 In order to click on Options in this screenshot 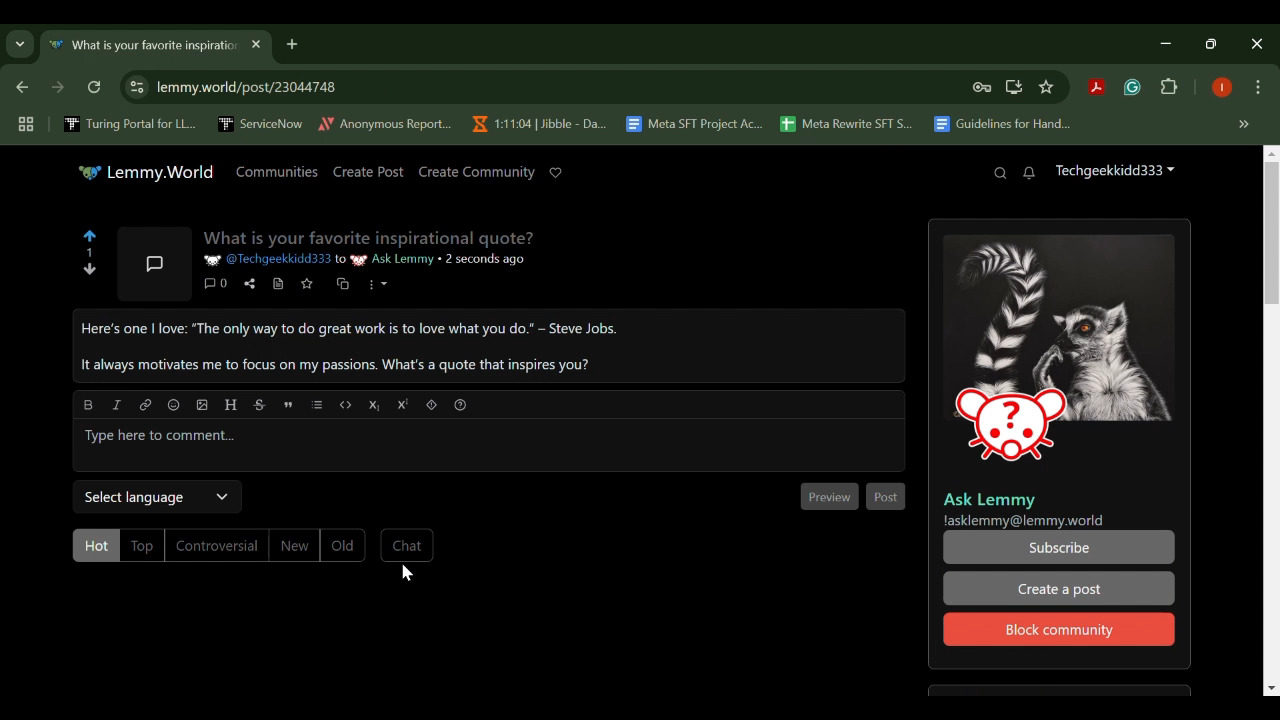, I will do `click(1258, 89)`.